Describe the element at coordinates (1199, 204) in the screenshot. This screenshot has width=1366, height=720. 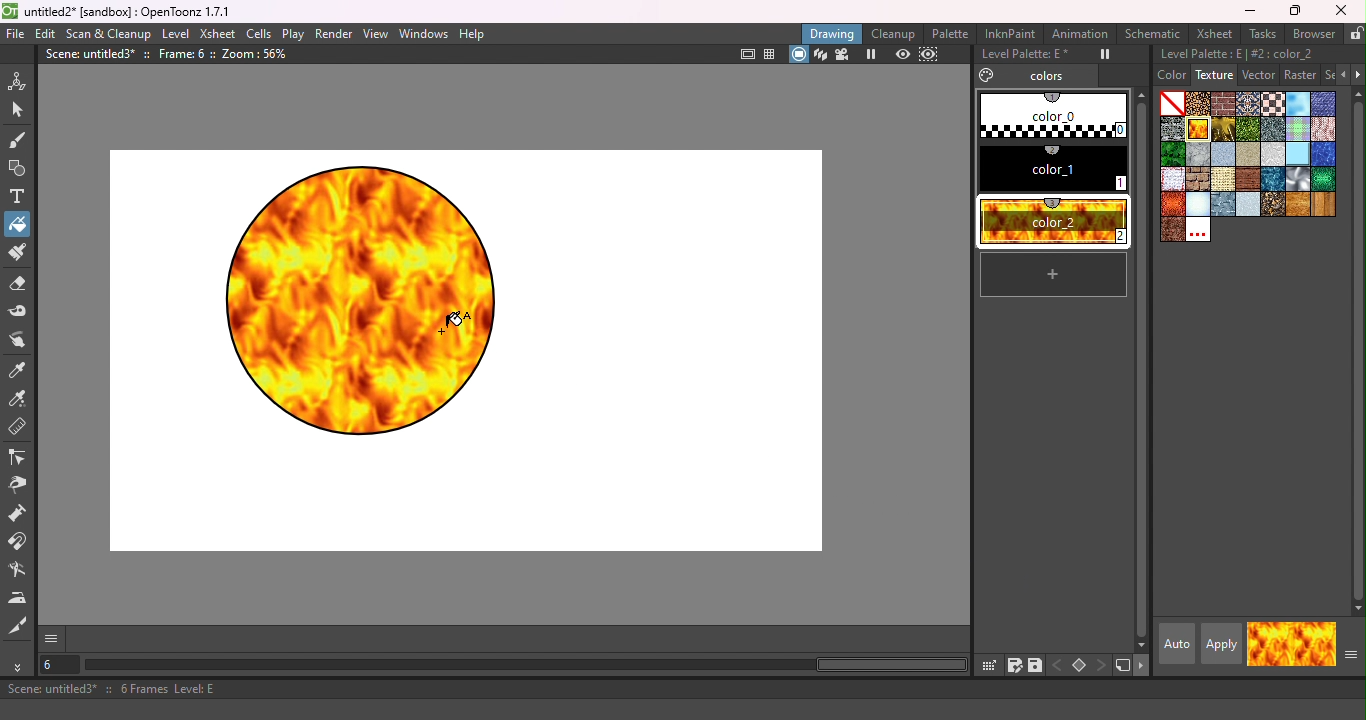
I see `snow.bmp` at that location.